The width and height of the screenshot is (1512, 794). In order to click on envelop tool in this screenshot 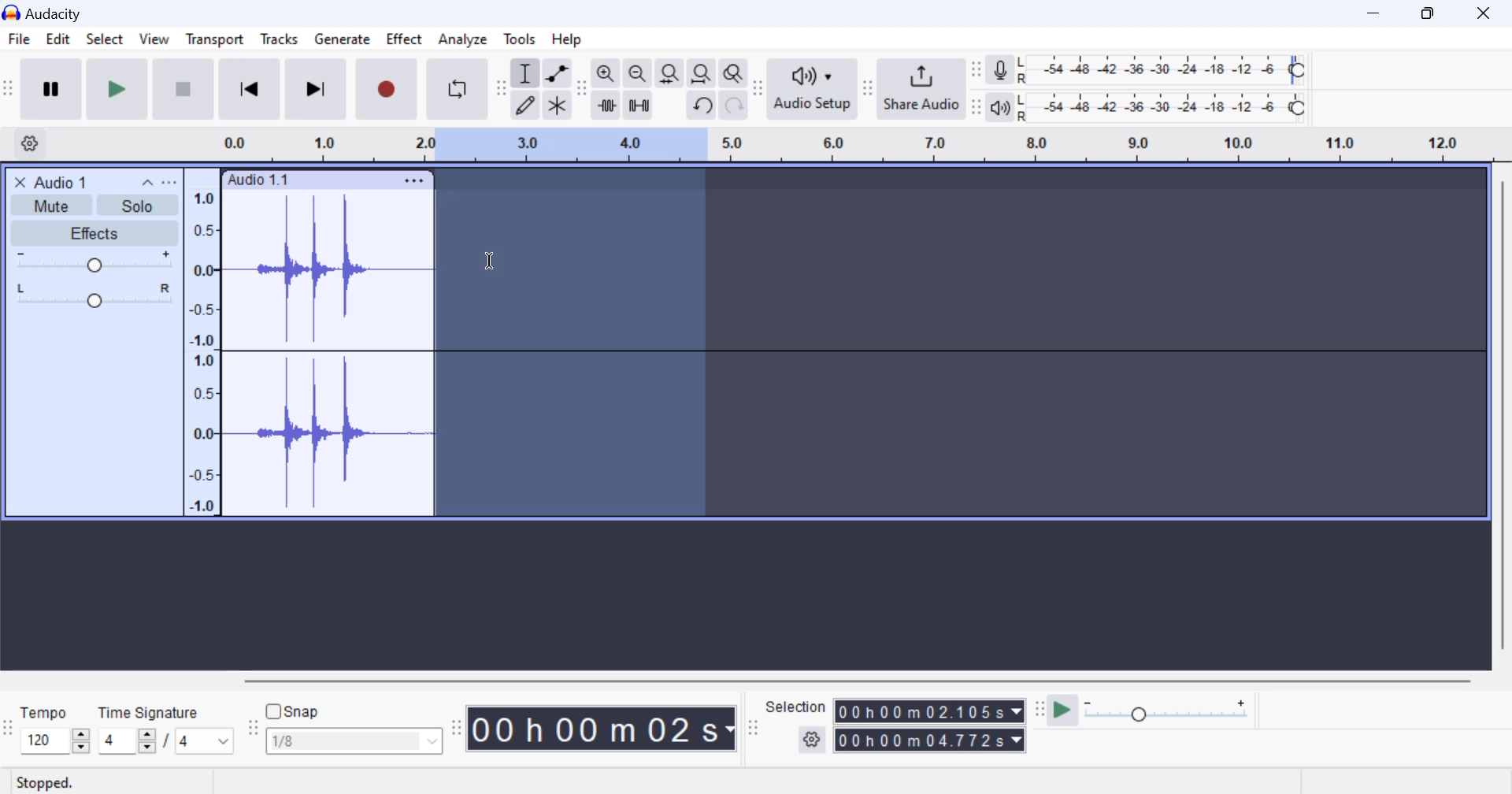, I will do `click(557, 75)`.